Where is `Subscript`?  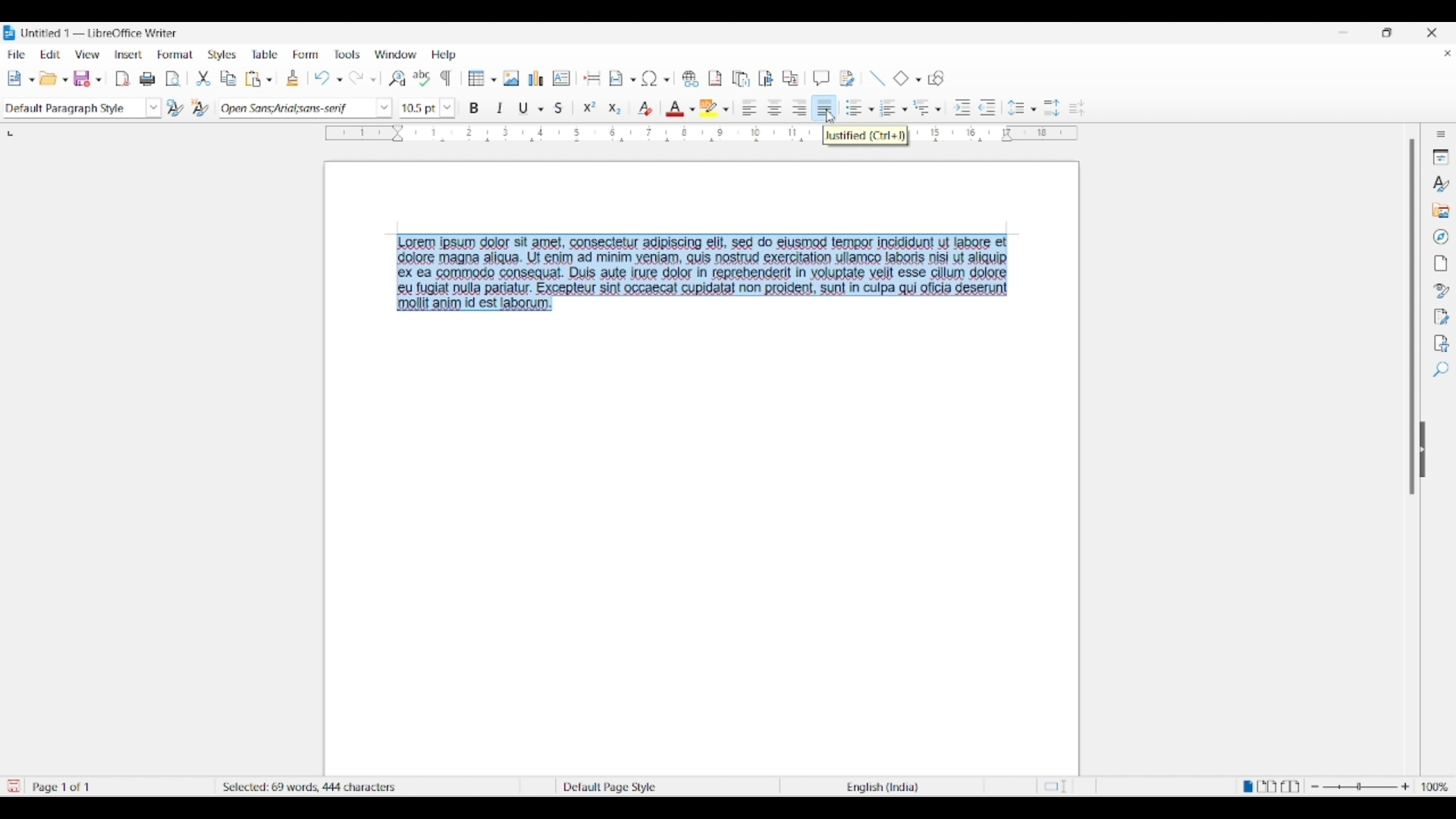 Subscript is located at coordinates (615, 109).